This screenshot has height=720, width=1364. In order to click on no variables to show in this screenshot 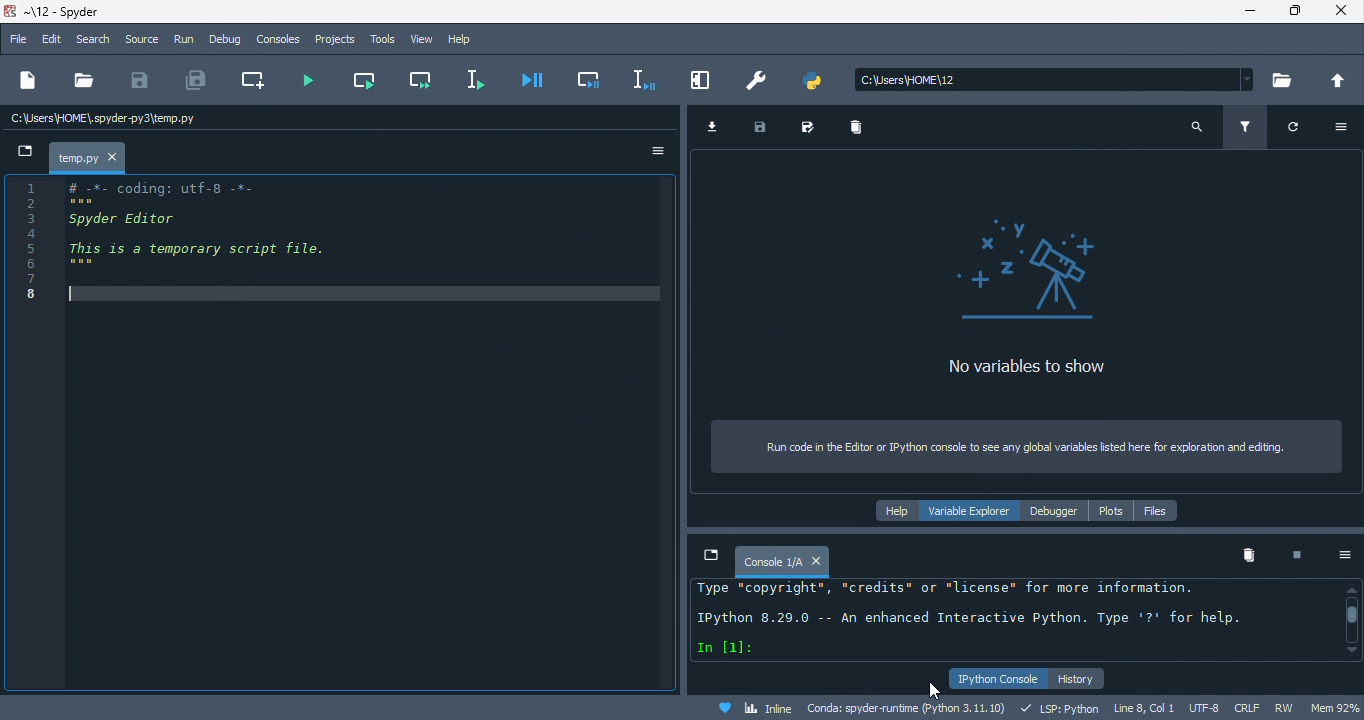, I will do `click(1040, 297)`.